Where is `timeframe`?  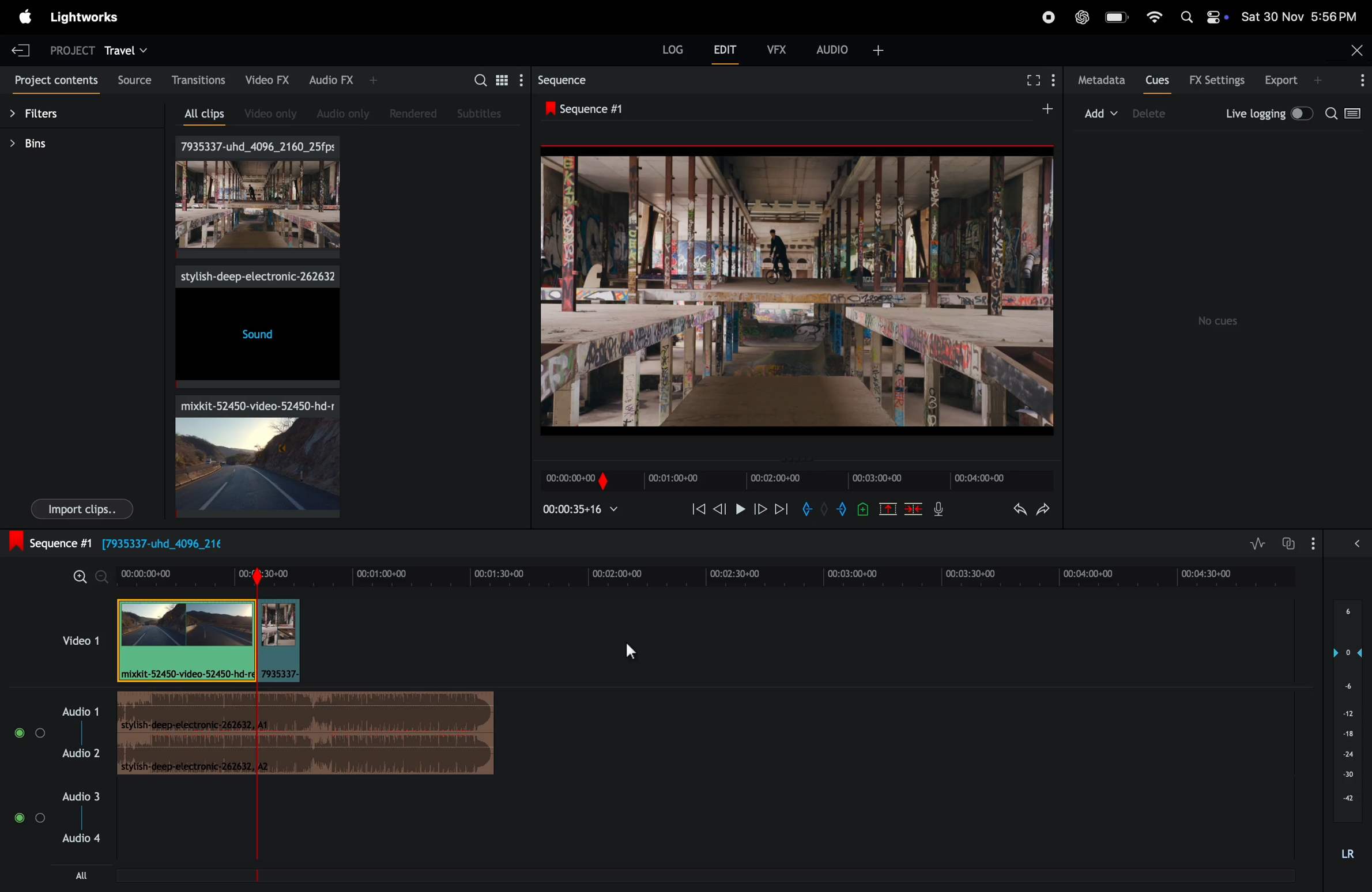
timeframe is located at coordinates (789, 476).